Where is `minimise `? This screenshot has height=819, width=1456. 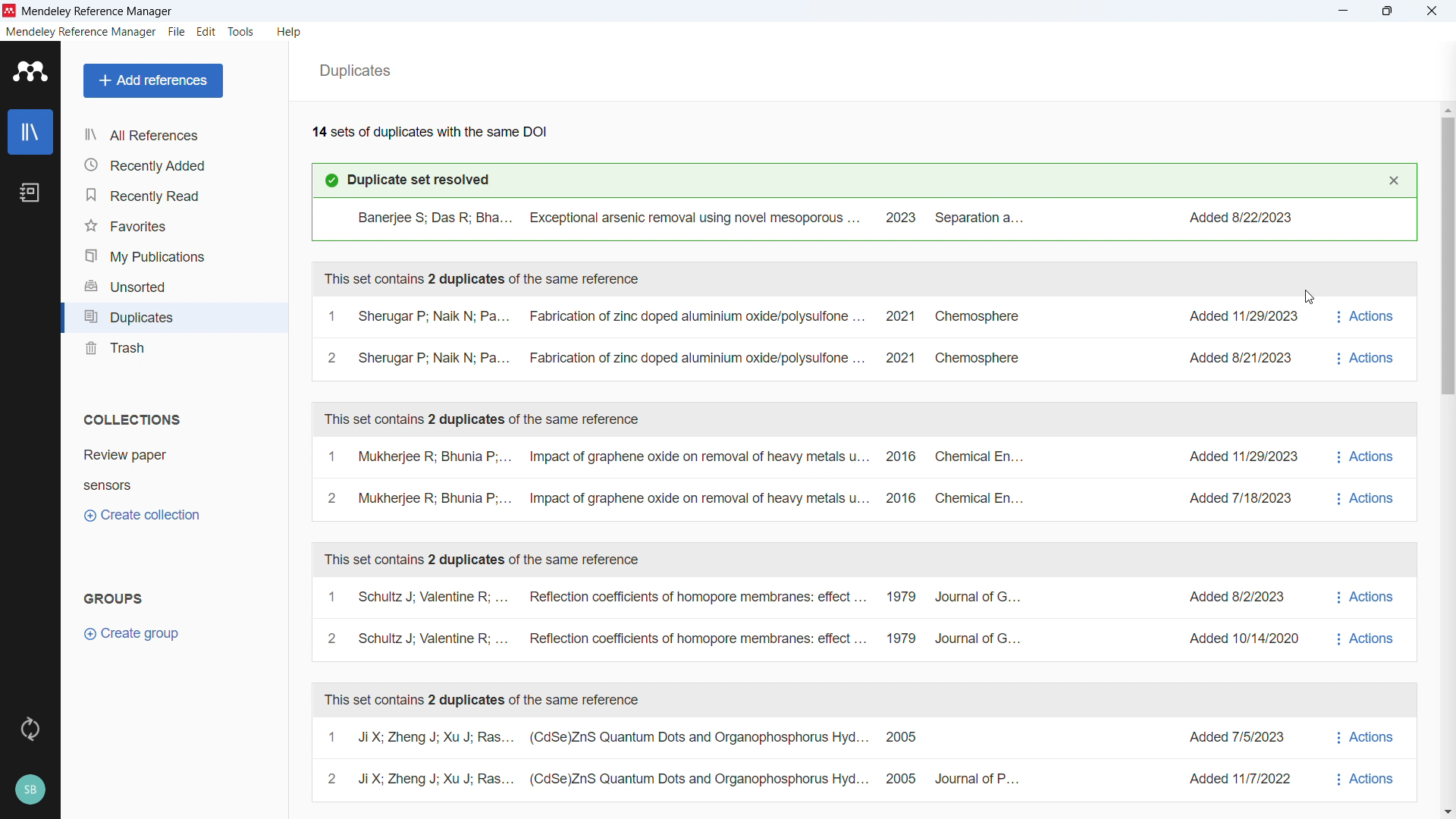 minimise  is located at coordinates (1344, 11).